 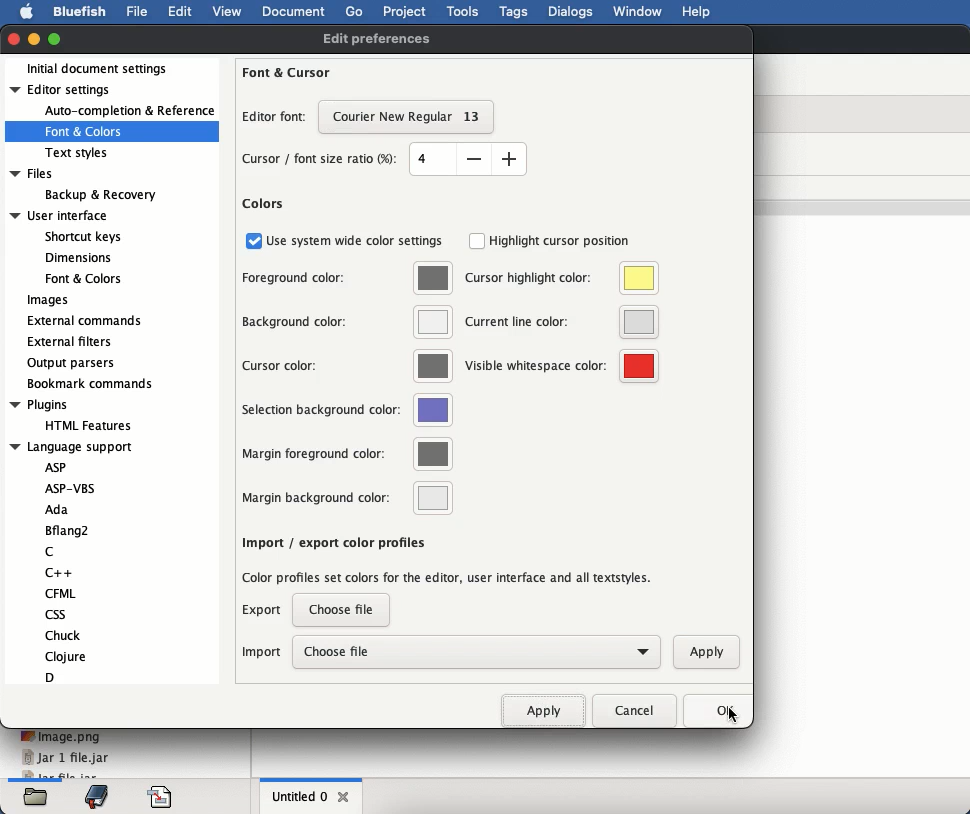 I want to click on code, so click(x=162, y=797).